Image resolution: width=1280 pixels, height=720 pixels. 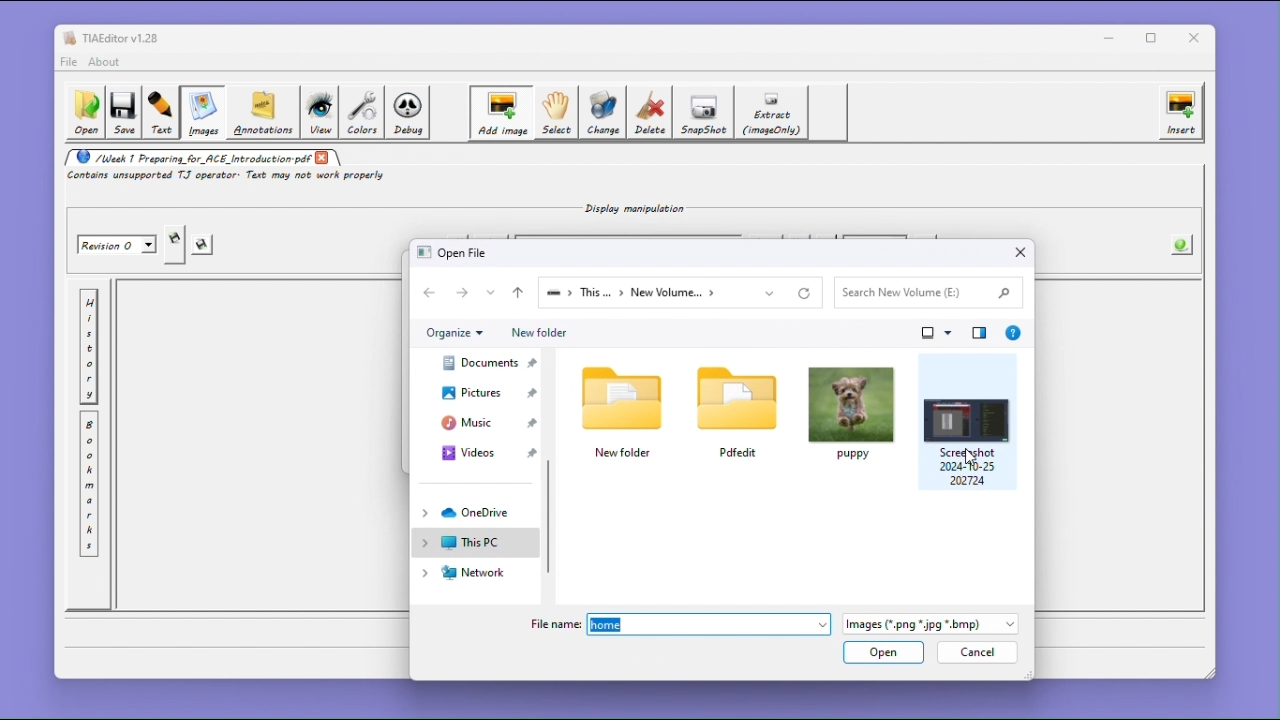 What do you see at coordinates (555, 113) in the screenshot?
I see `Select ` at bounding box center [555, 113].